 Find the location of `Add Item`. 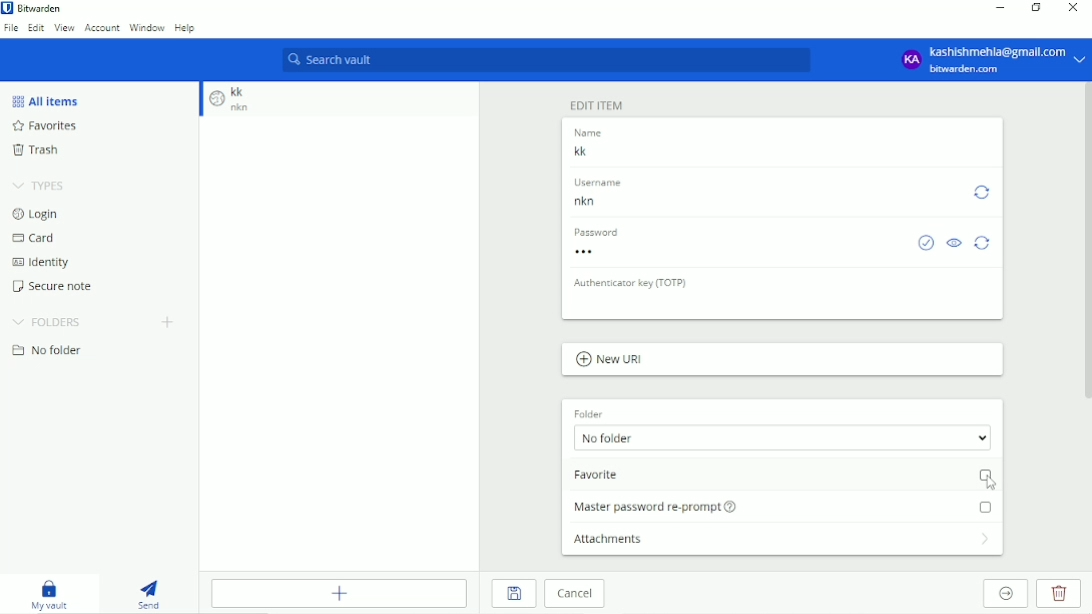

Add Item is located at coordinates (337, 593).